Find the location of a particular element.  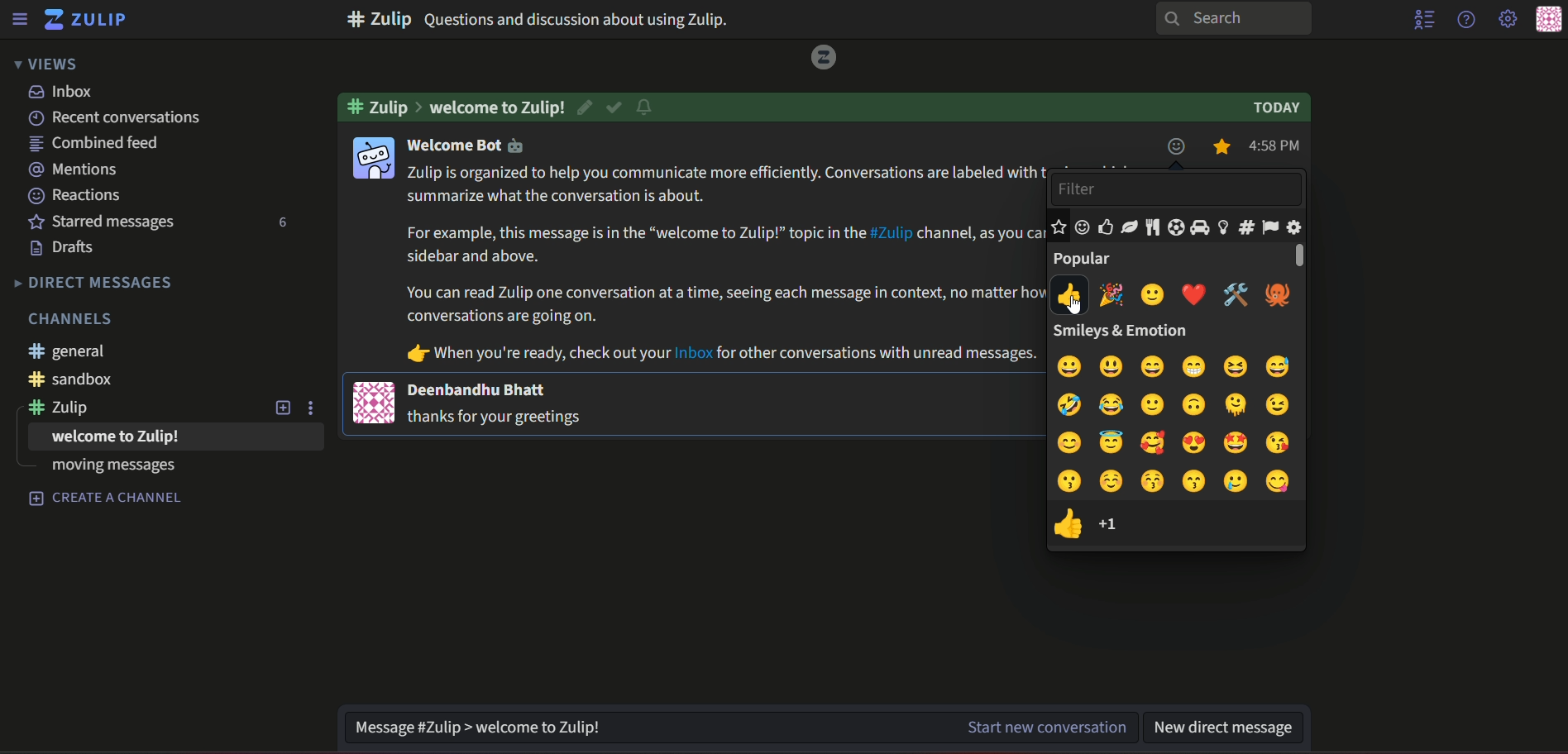

welcome to Zulip! is located at coordinates (497, 107).